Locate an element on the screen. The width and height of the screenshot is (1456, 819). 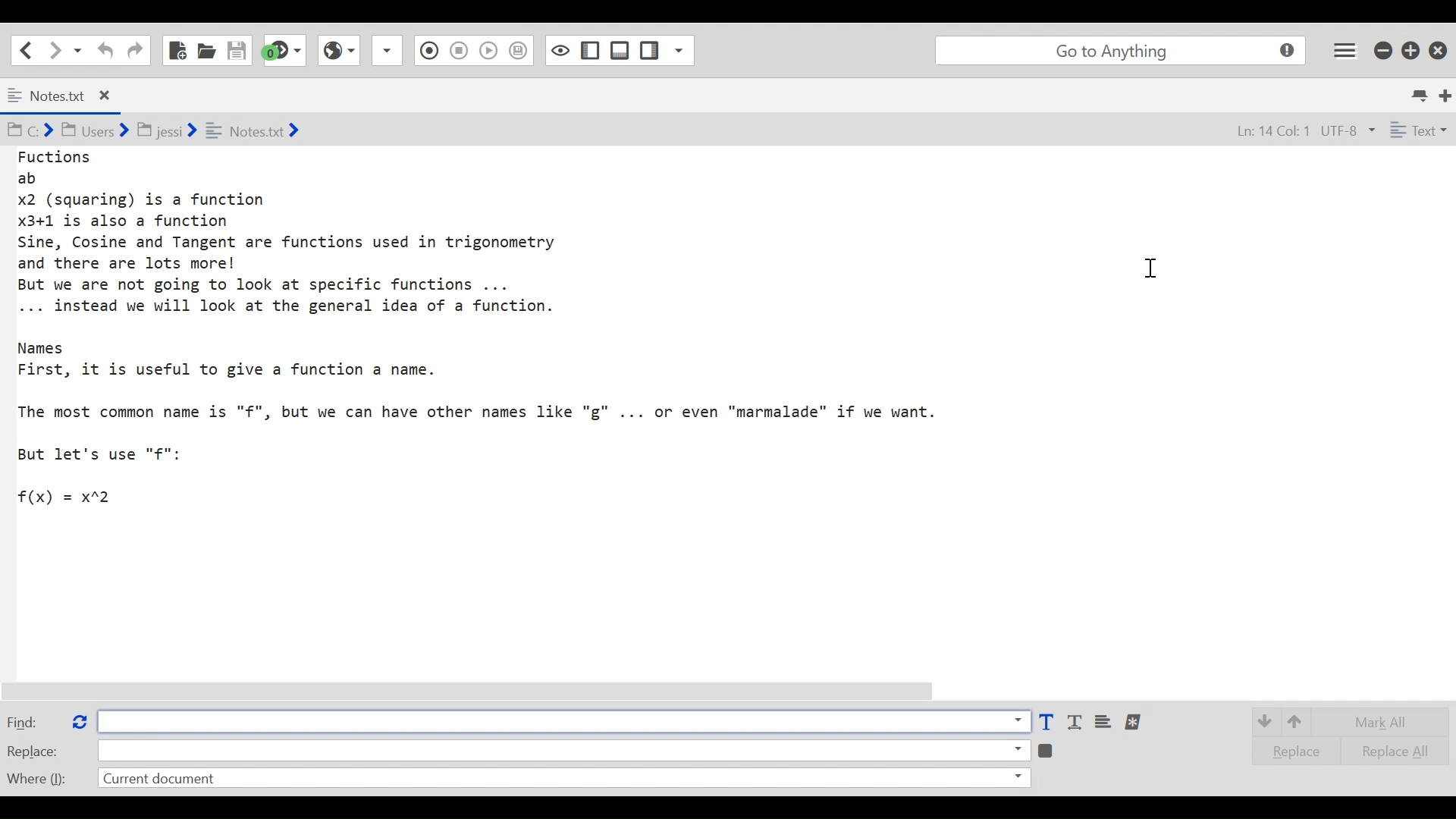
Open File is located at coordinates (206, 50).